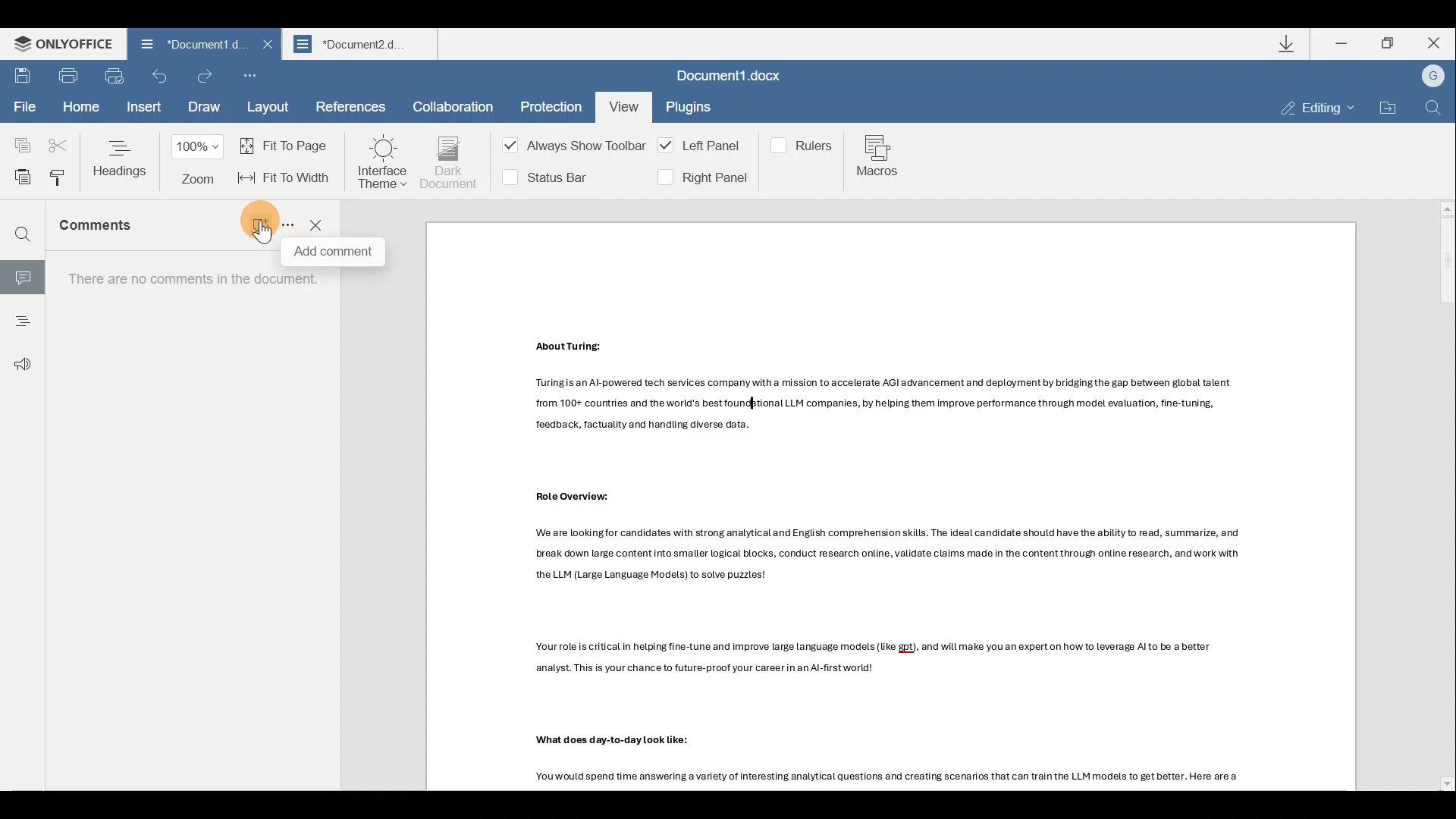  What do you see at coordinates (1386, 108) in the screenshot?
I see `Open file location` at bounding box center [1386, 108].